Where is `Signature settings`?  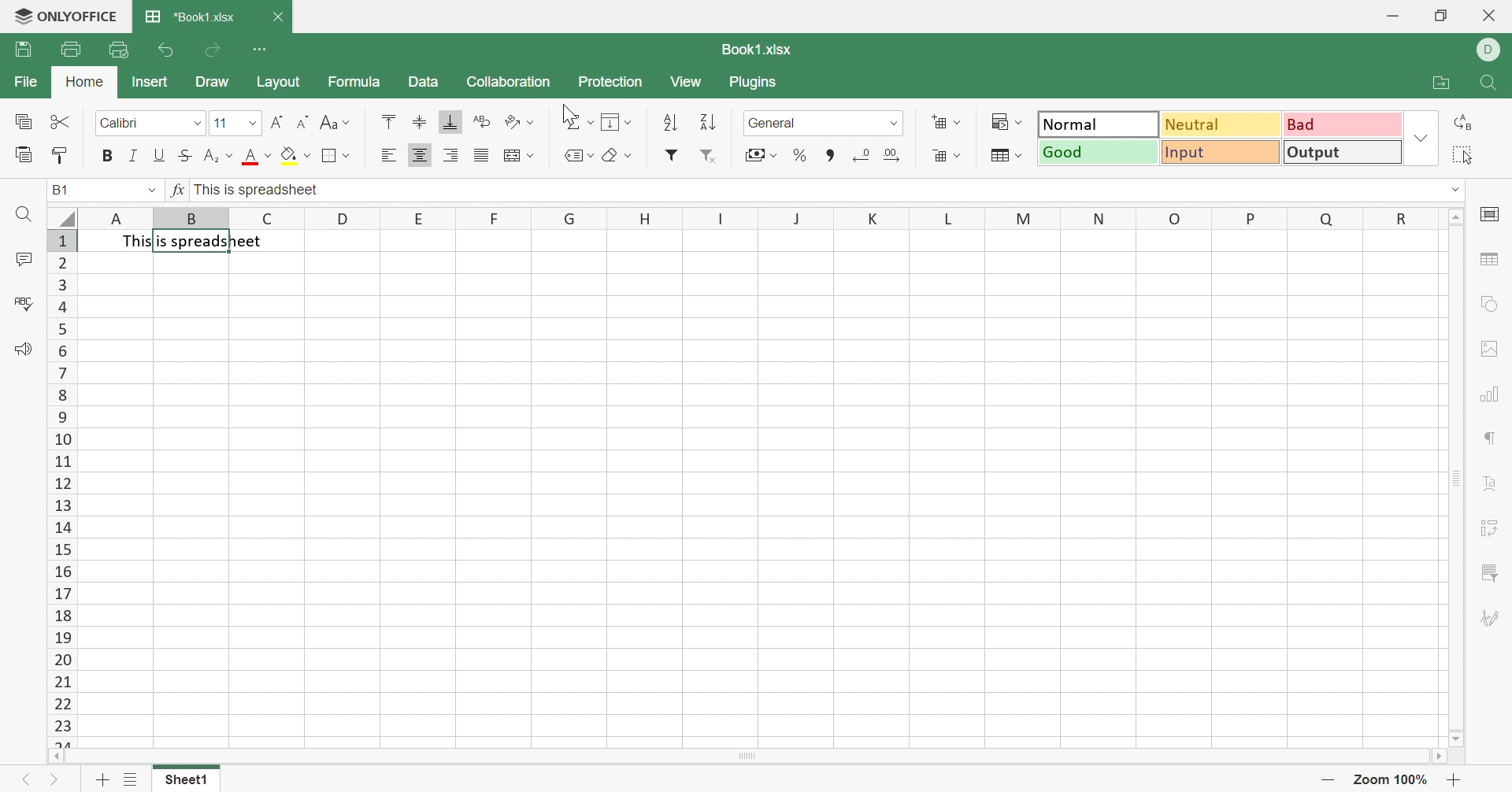
Signature settings is located at coordinates (1488, 619).